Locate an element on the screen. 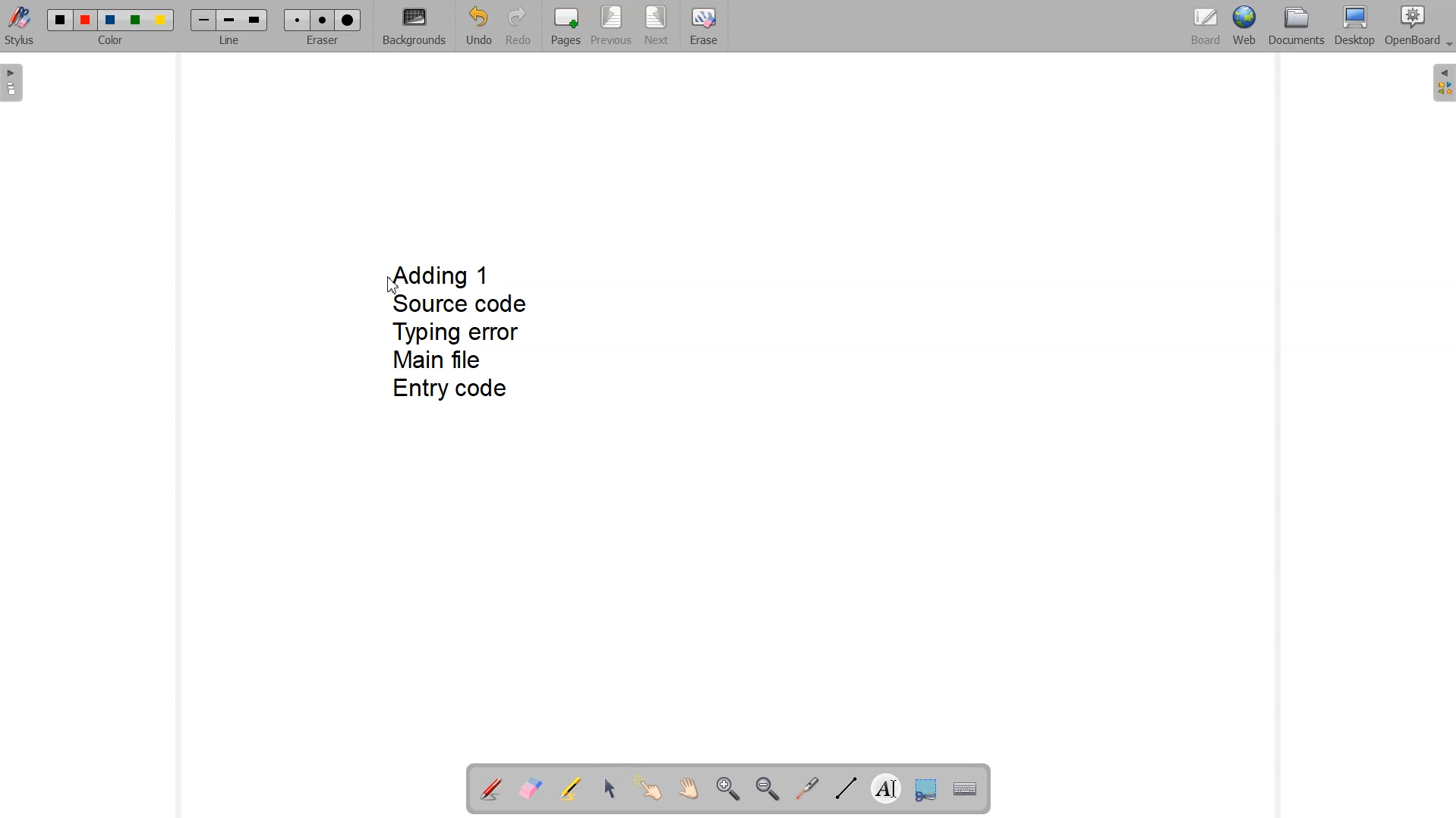 The image size is (1456, 818). Adding 1
Source code
Typing error
Main file
Entry code is located at coordinates (466, 336).